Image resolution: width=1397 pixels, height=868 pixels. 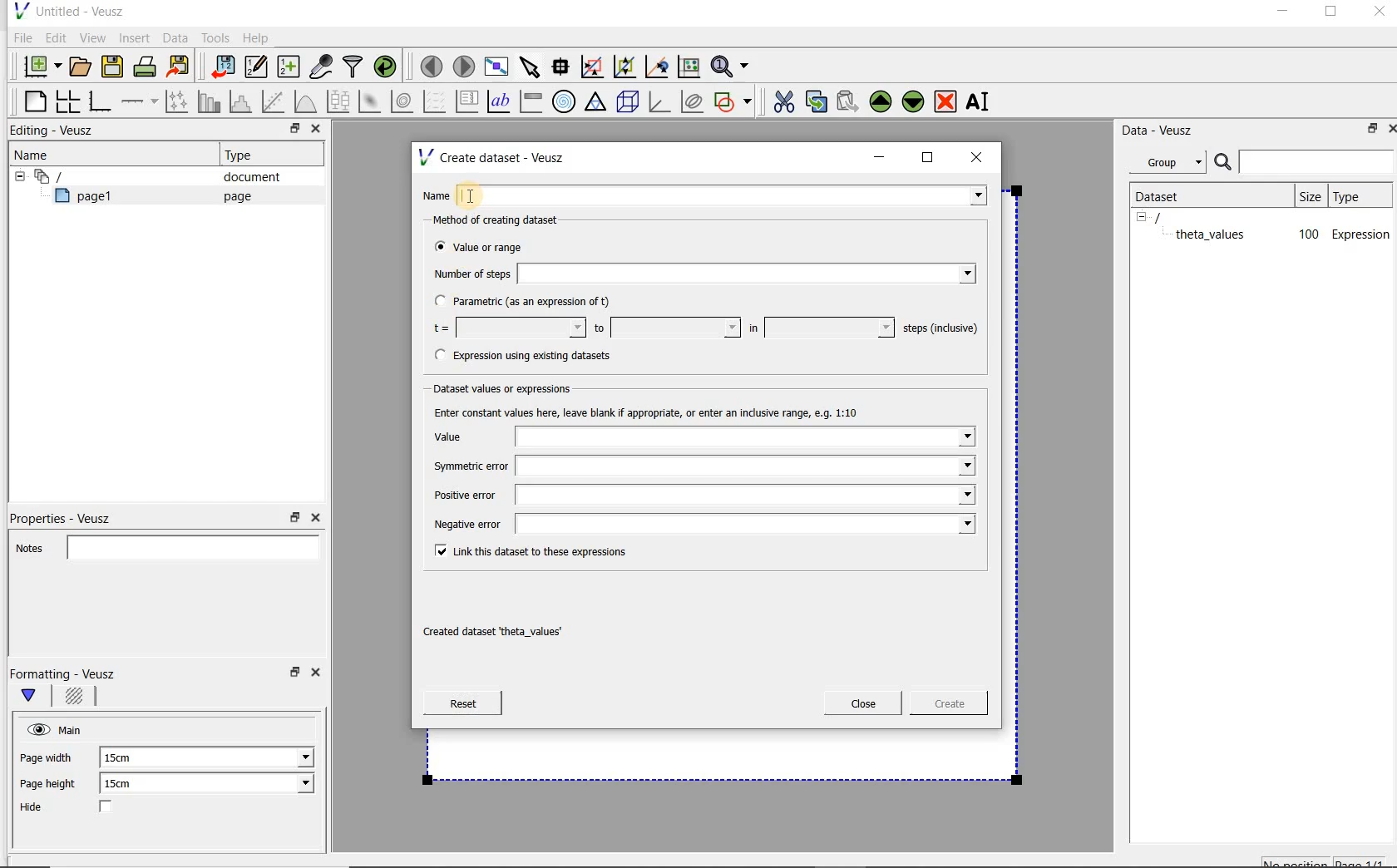 I want to click on page1, so click(x=91, y=199).